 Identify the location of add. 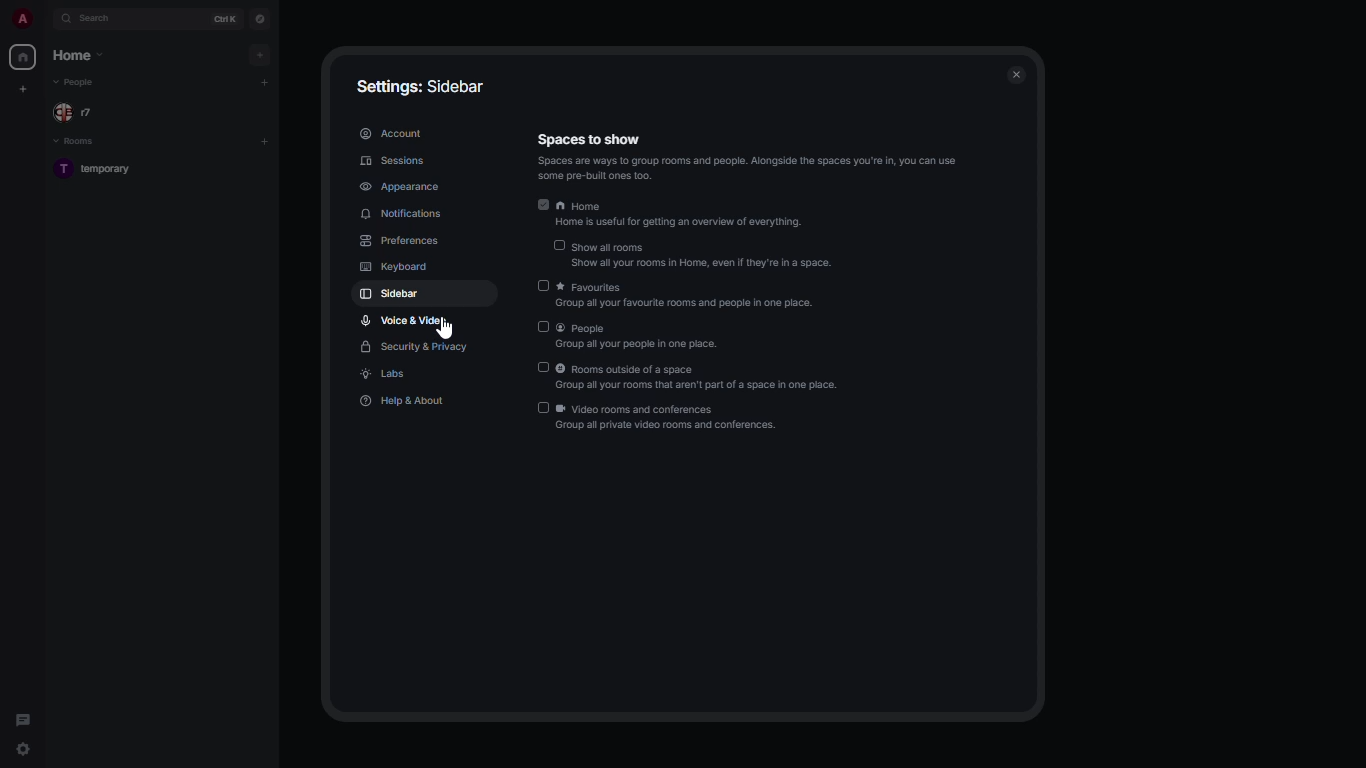
(265, 80).